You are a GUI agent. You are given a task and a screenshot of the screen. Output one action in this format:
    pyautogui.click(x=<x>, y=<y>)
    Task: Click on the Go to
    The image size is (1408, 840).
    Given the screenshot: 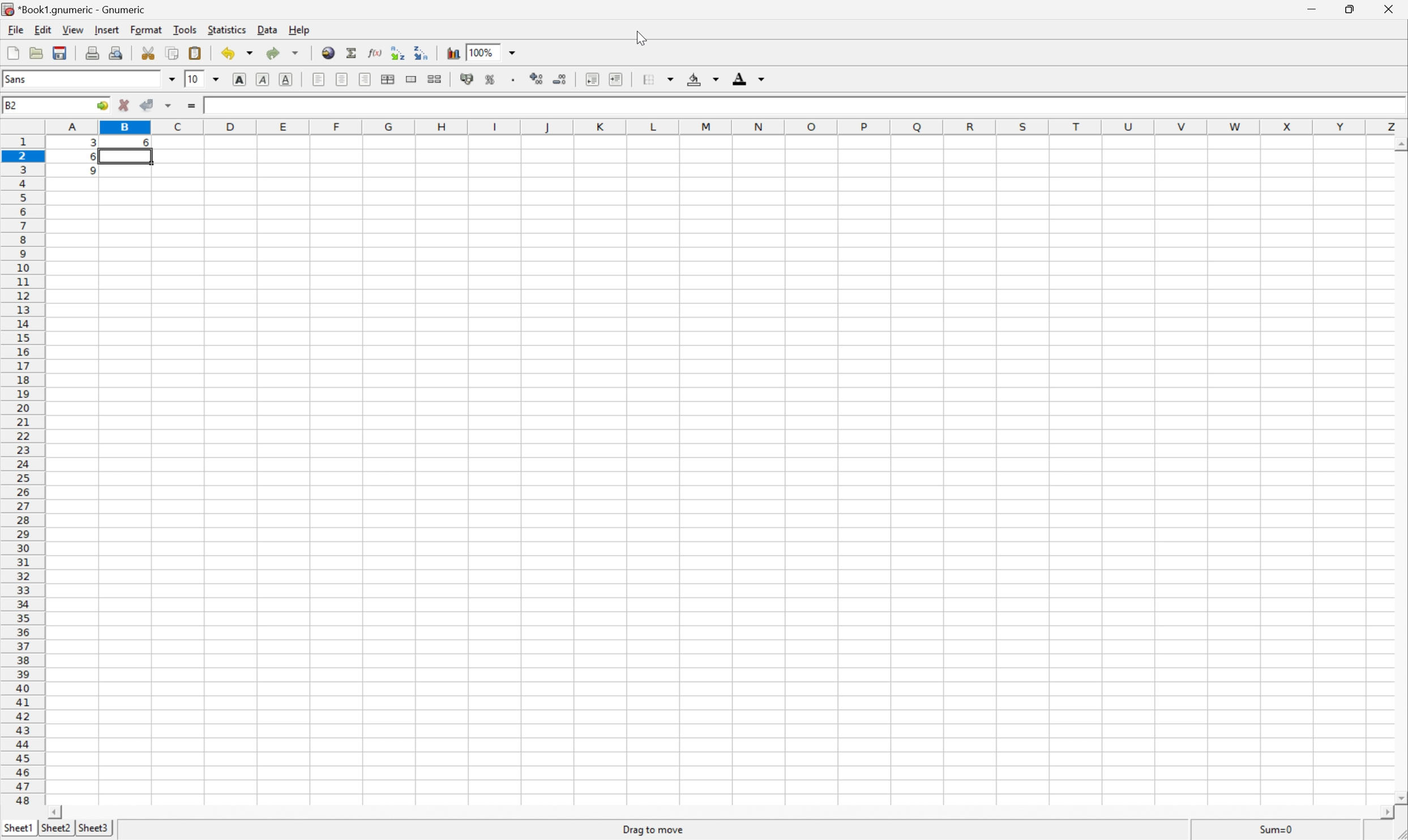 What is the action you would take?
    pyautogui.click(x=102, y=106)
    